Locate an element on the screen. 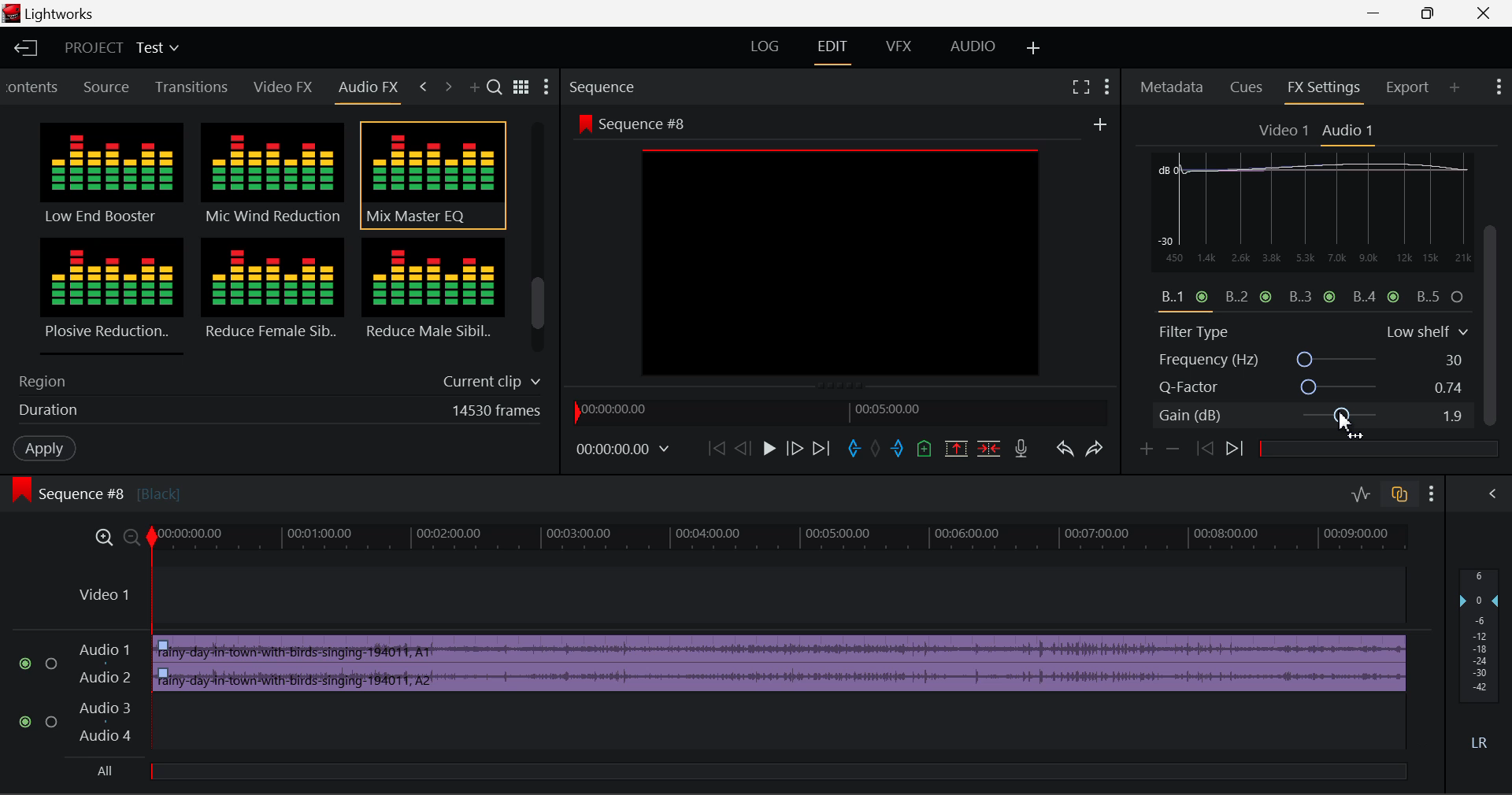  Region is located at coordinates (276, 379).